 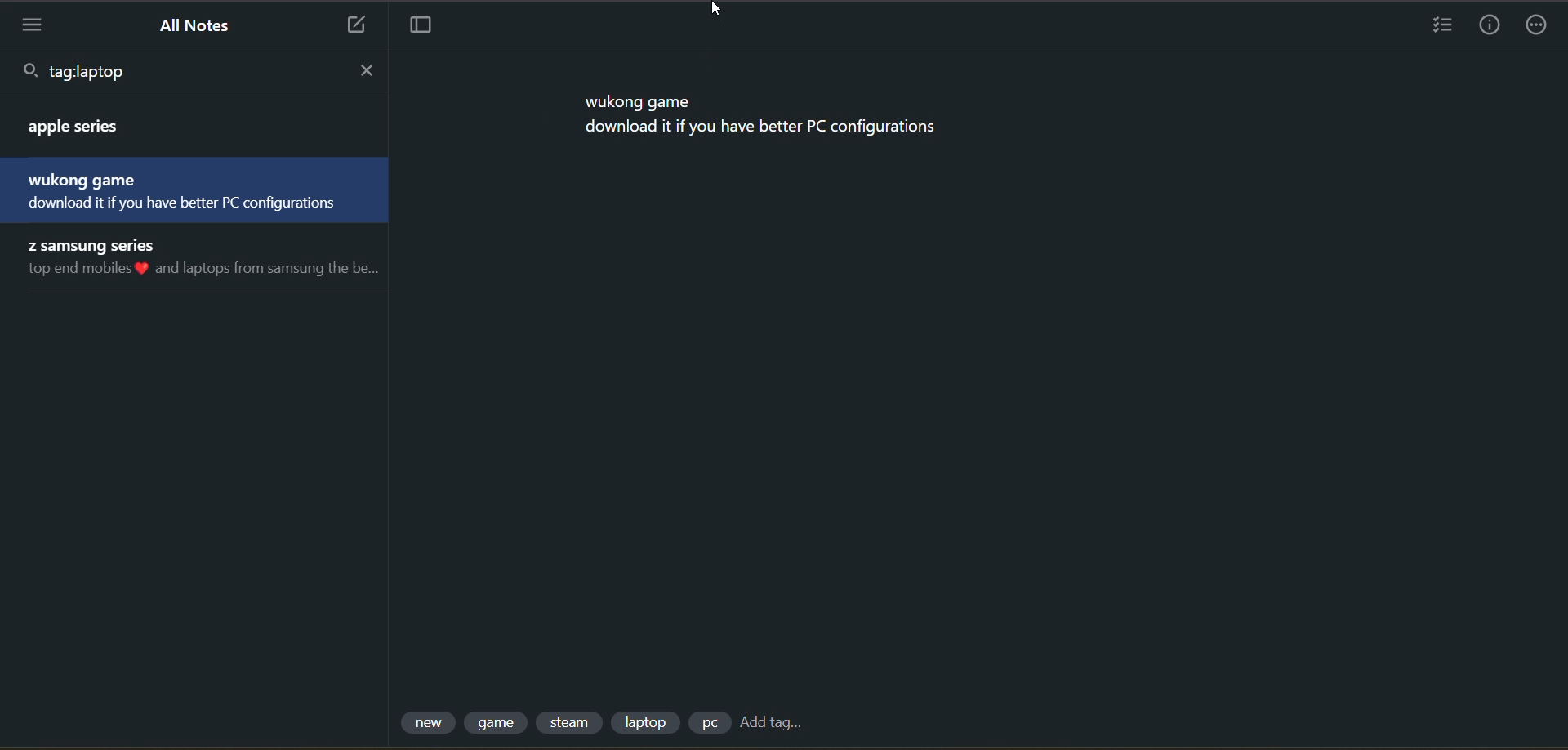 What do you see at coordinates (572, 721) in the screenshot?
I see `tag 3` at bounding box center [572, 721].